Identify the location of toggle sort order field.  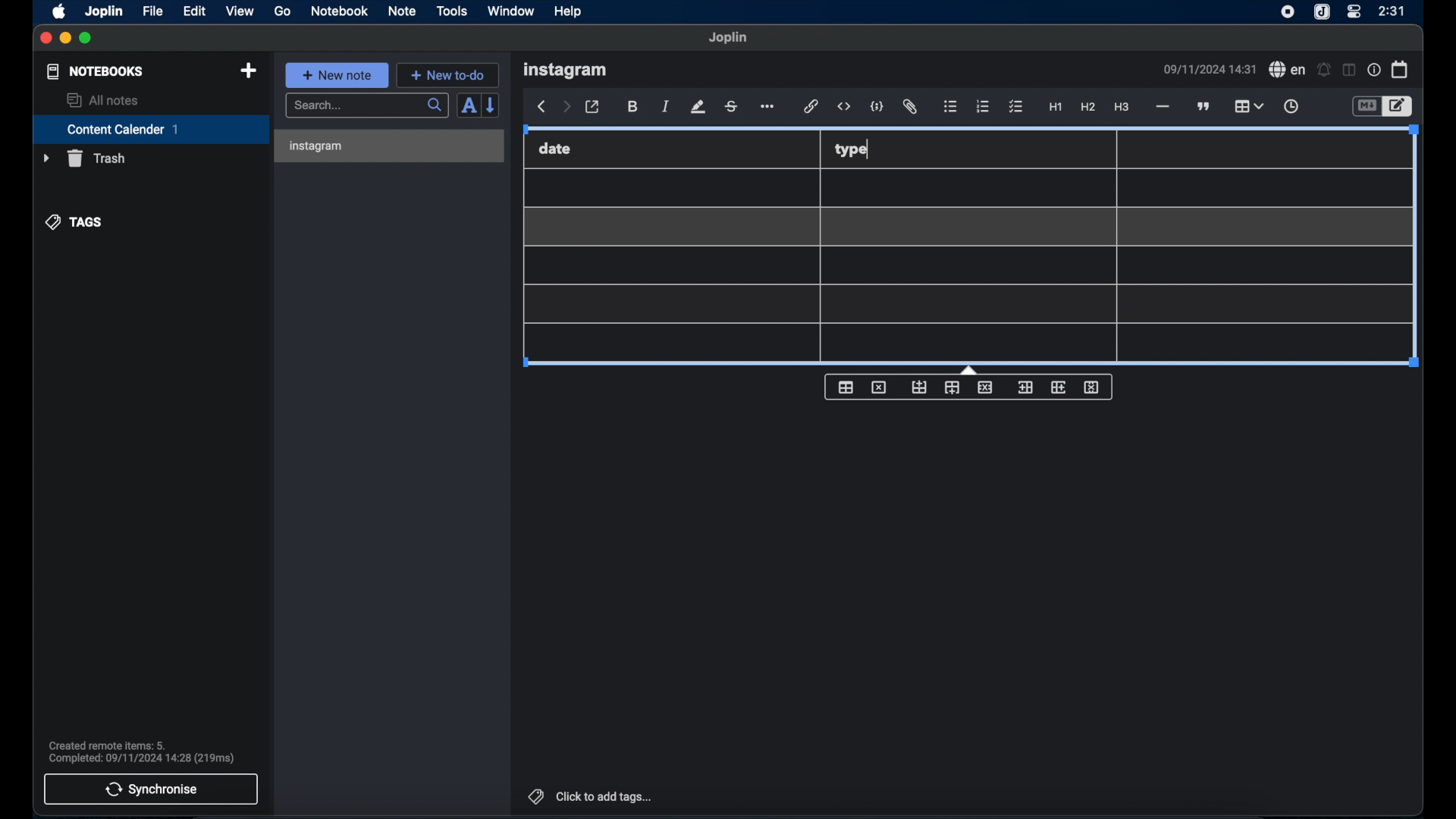
(468, 106).